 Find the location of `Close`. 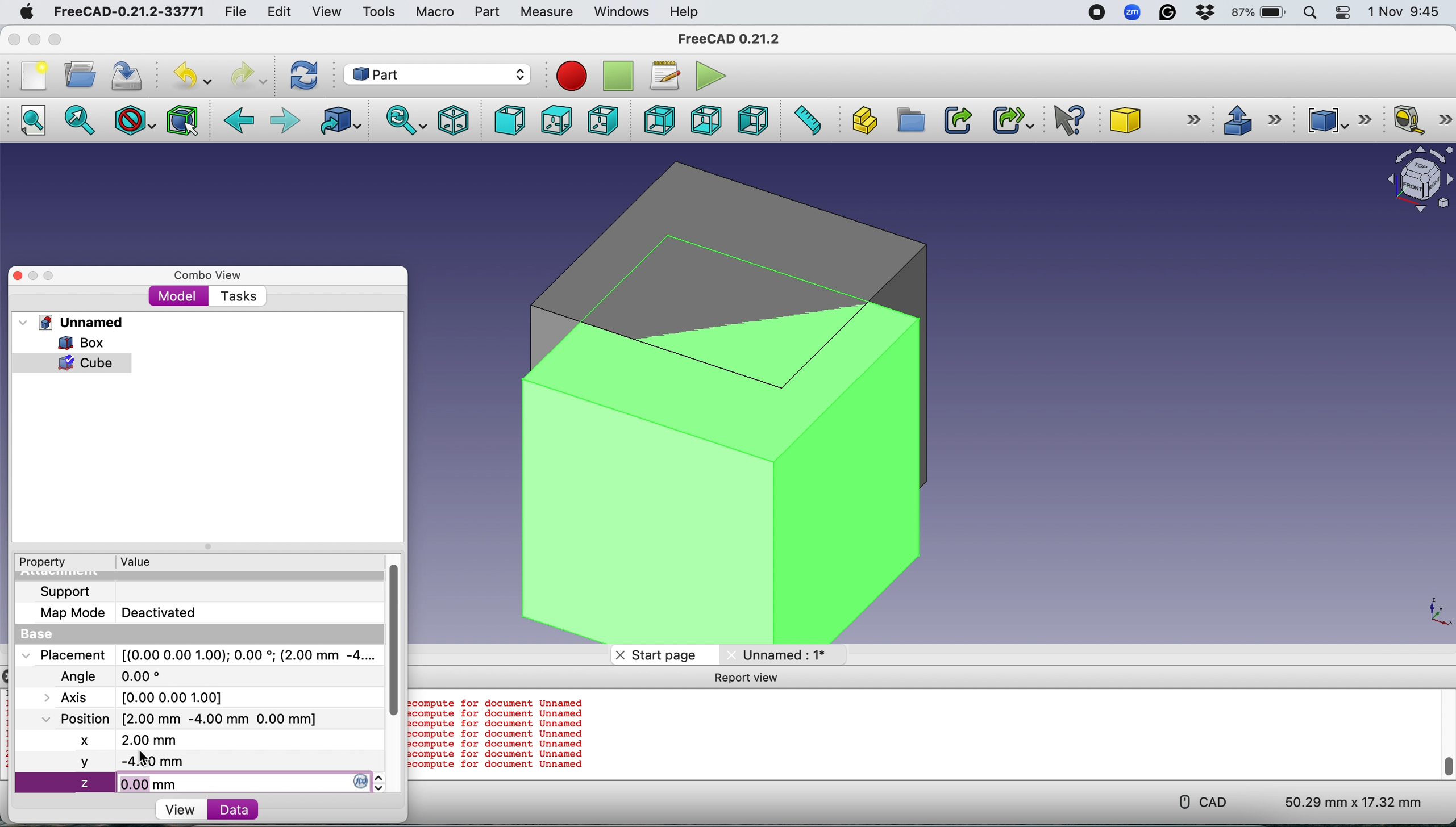

Close is located at coordinates (14, 39).